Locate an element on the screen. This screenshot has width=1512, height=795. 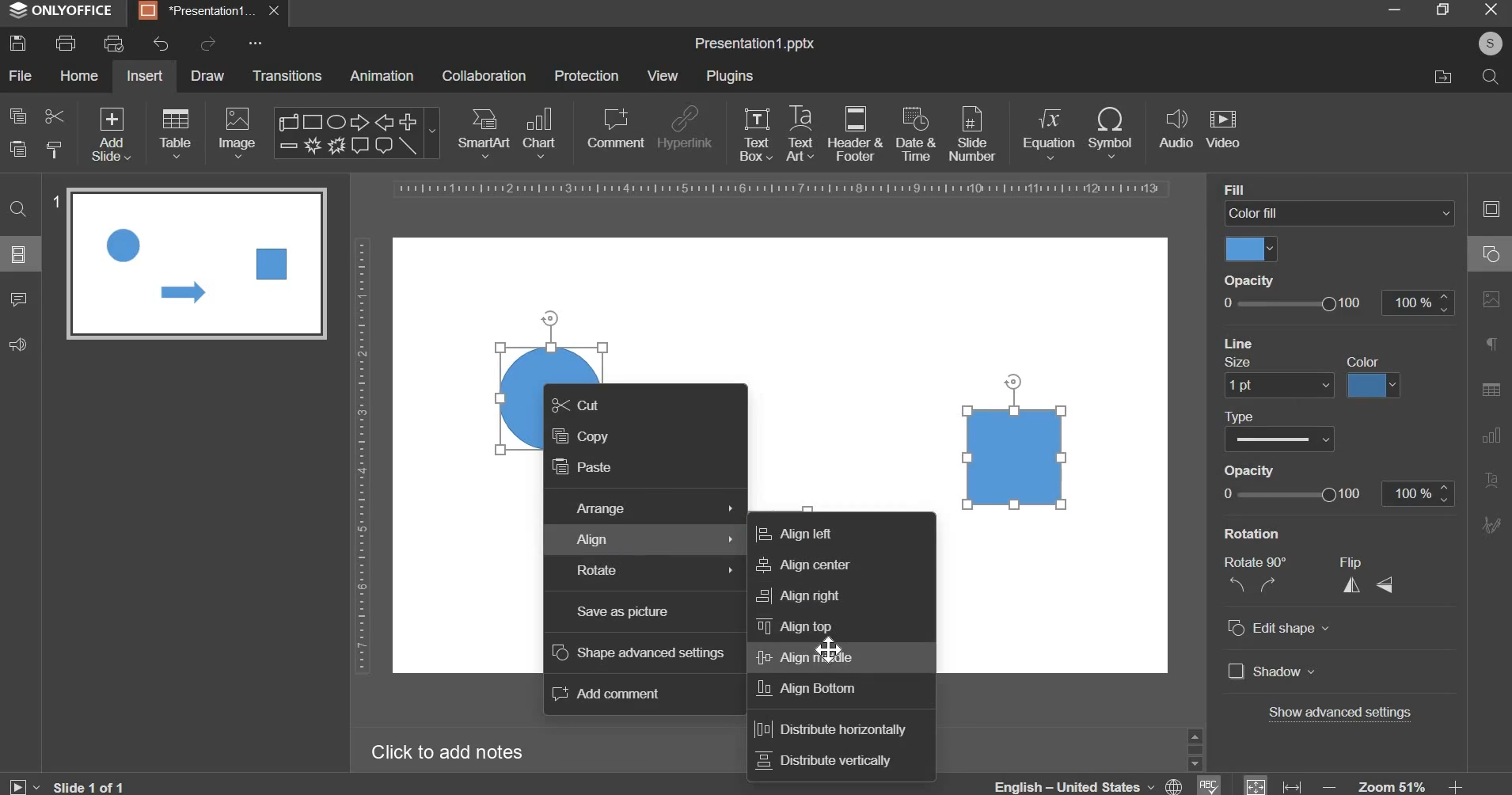
undo is located at coordinates (161, 44).